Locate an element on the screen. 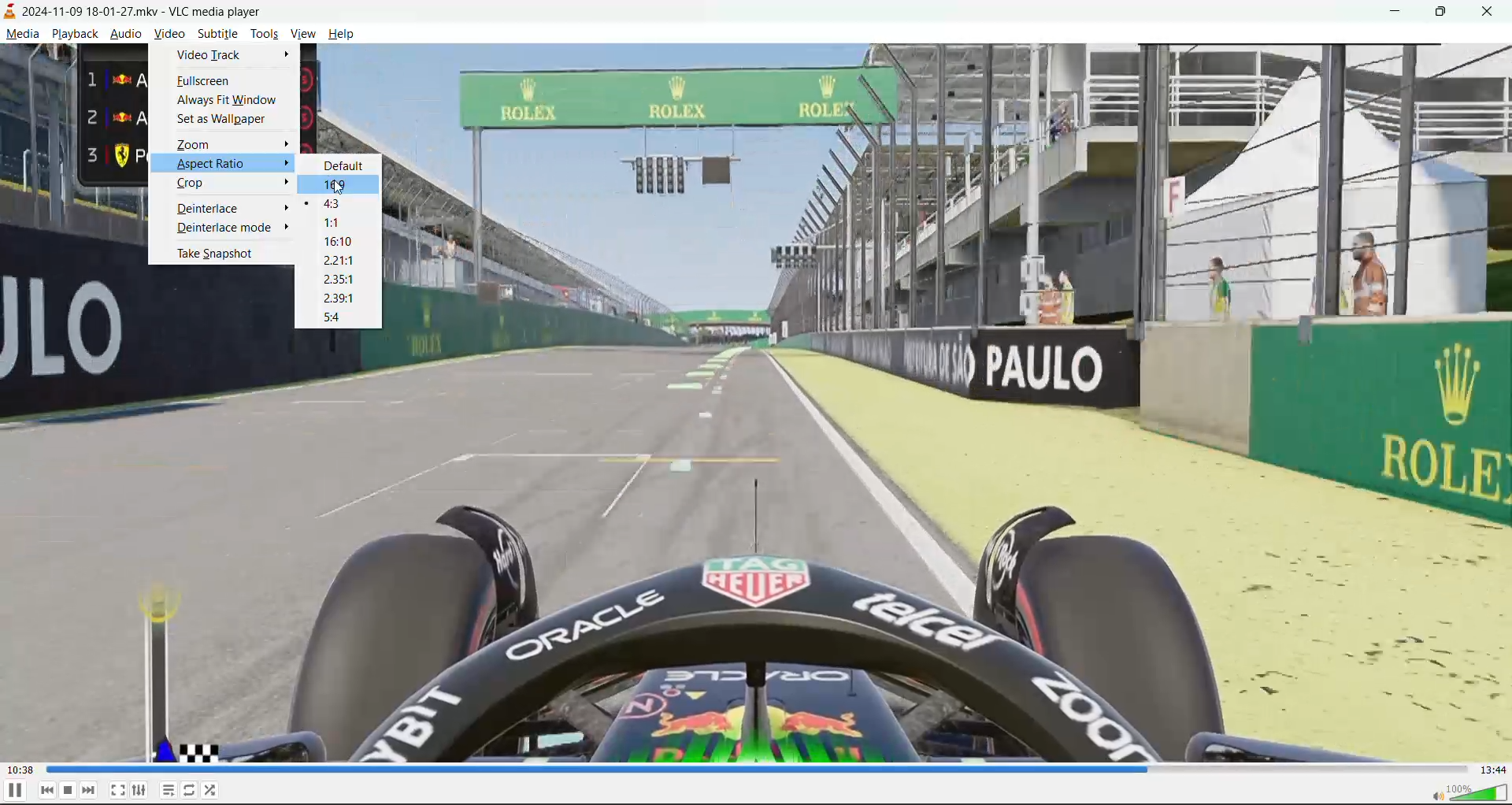 The image size is (1512, 805). maximize is located at coordinates (1446, 13).